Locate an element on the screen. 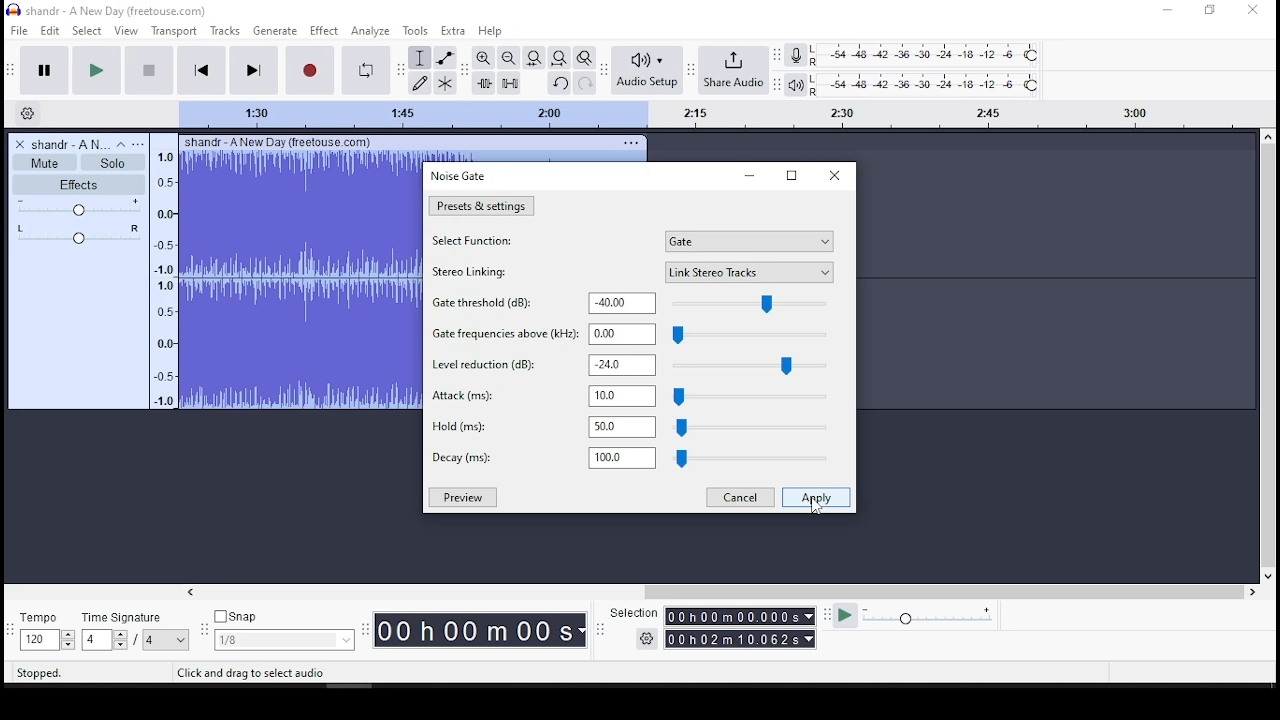 The image size is (1280, 720). noise gate is located at coordinates (460, 177).